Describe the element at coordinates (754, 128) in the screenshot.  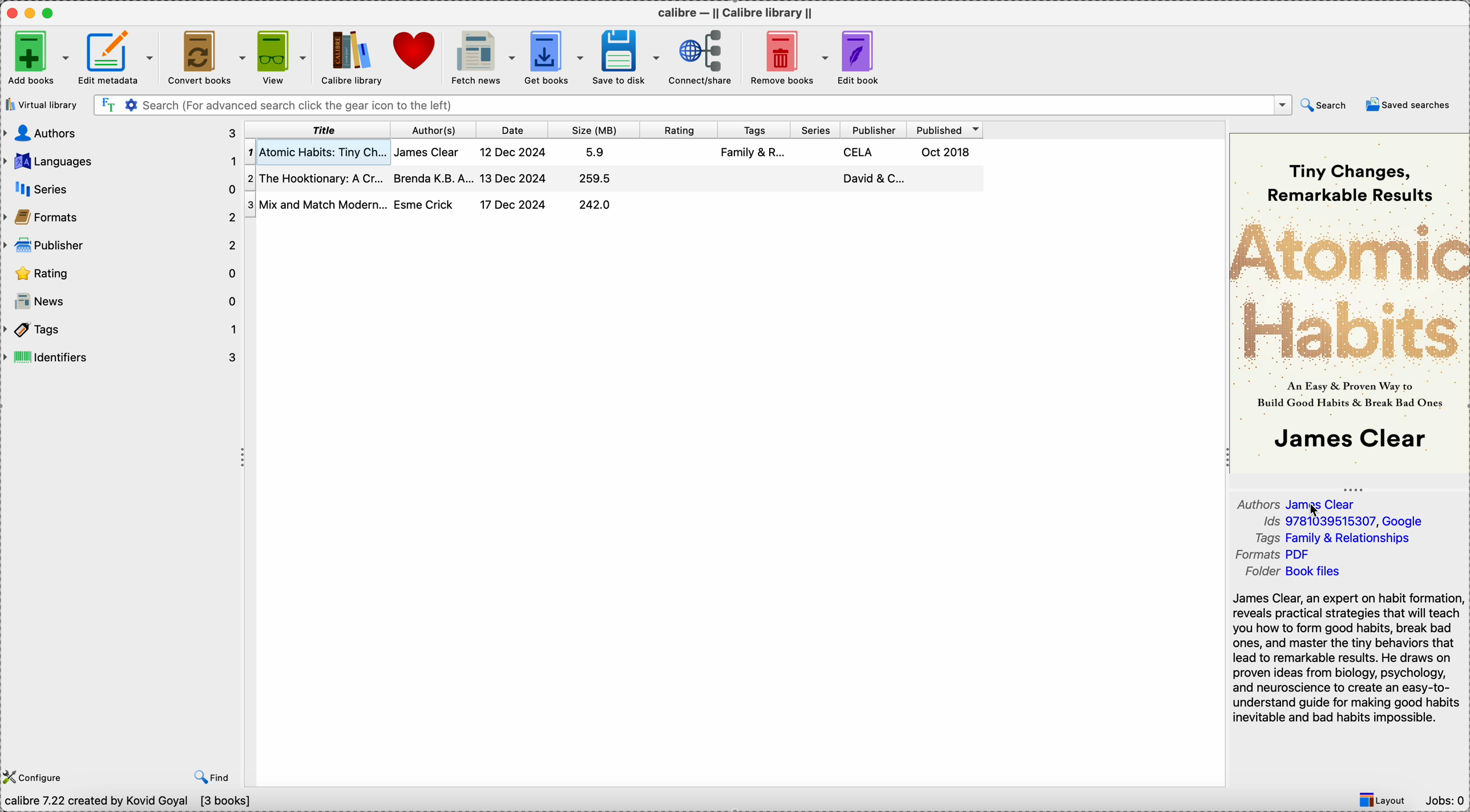
I see `tags` at that location.